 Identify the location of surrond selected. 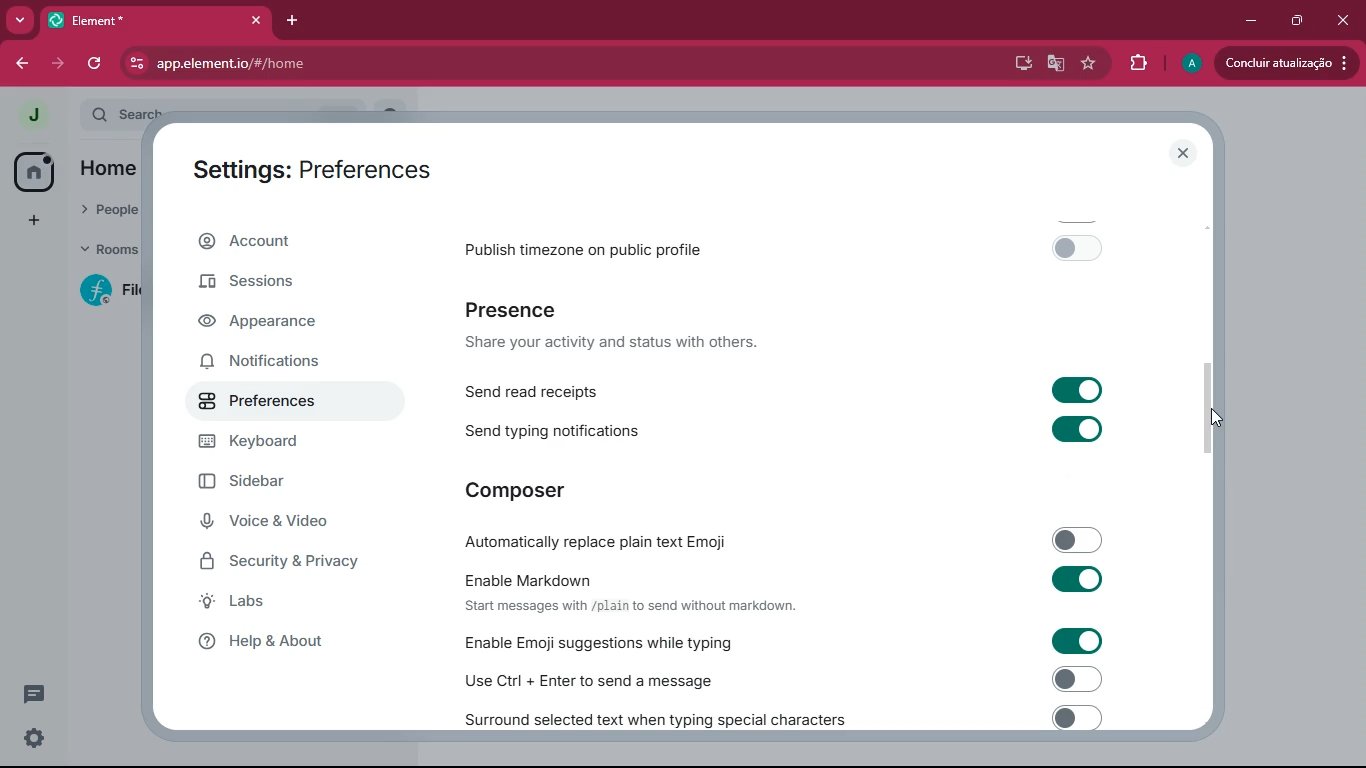
(779, 717).